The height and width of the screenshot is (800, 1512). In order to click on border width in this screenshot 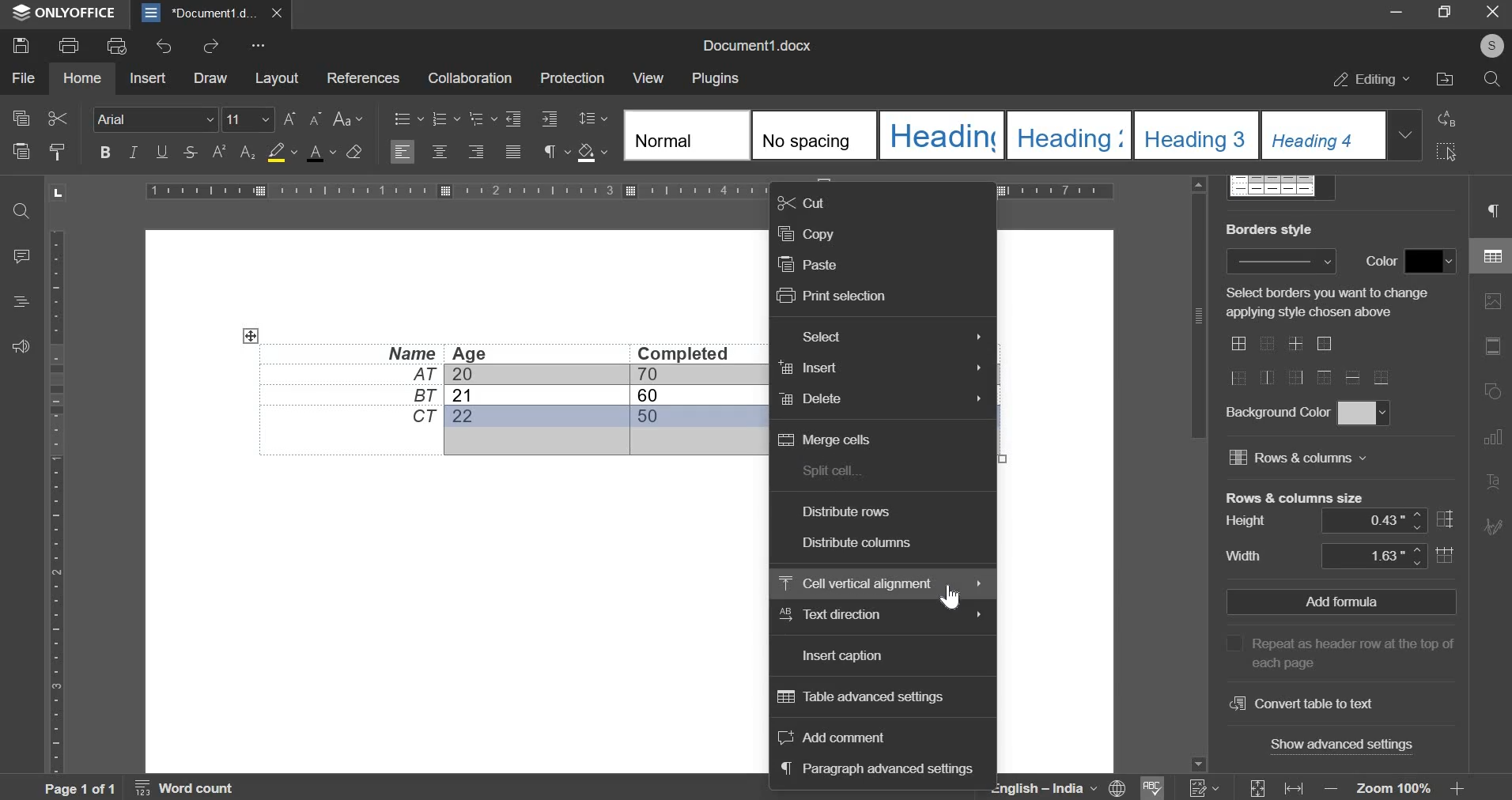, I will do `click(1277, 263)`.